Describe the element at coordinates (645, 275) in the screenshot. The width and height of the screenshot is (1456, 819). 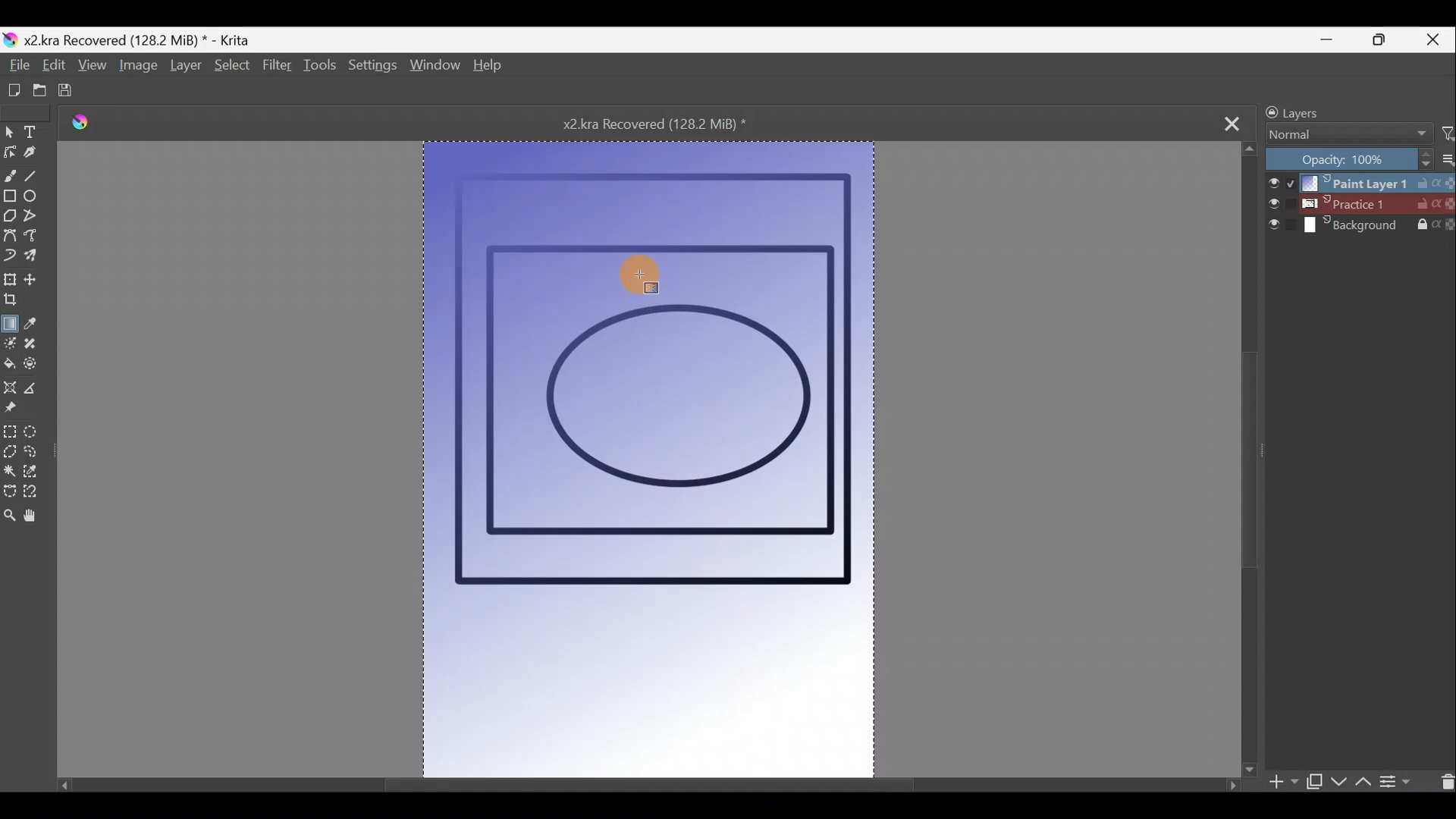
I see `Cursor` at that location.